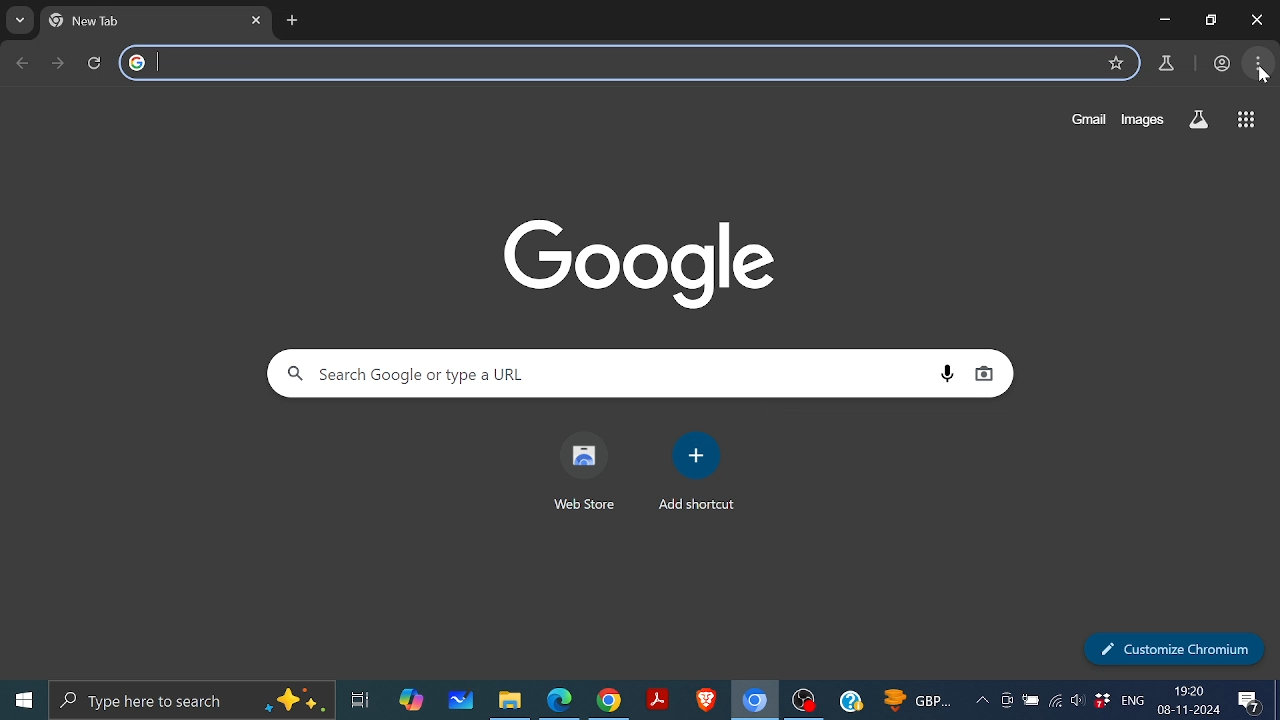 The image size is (1280, 720). Describe the element at coordinates (1211, 21) in the screenshot. I see `maximize` at that location.